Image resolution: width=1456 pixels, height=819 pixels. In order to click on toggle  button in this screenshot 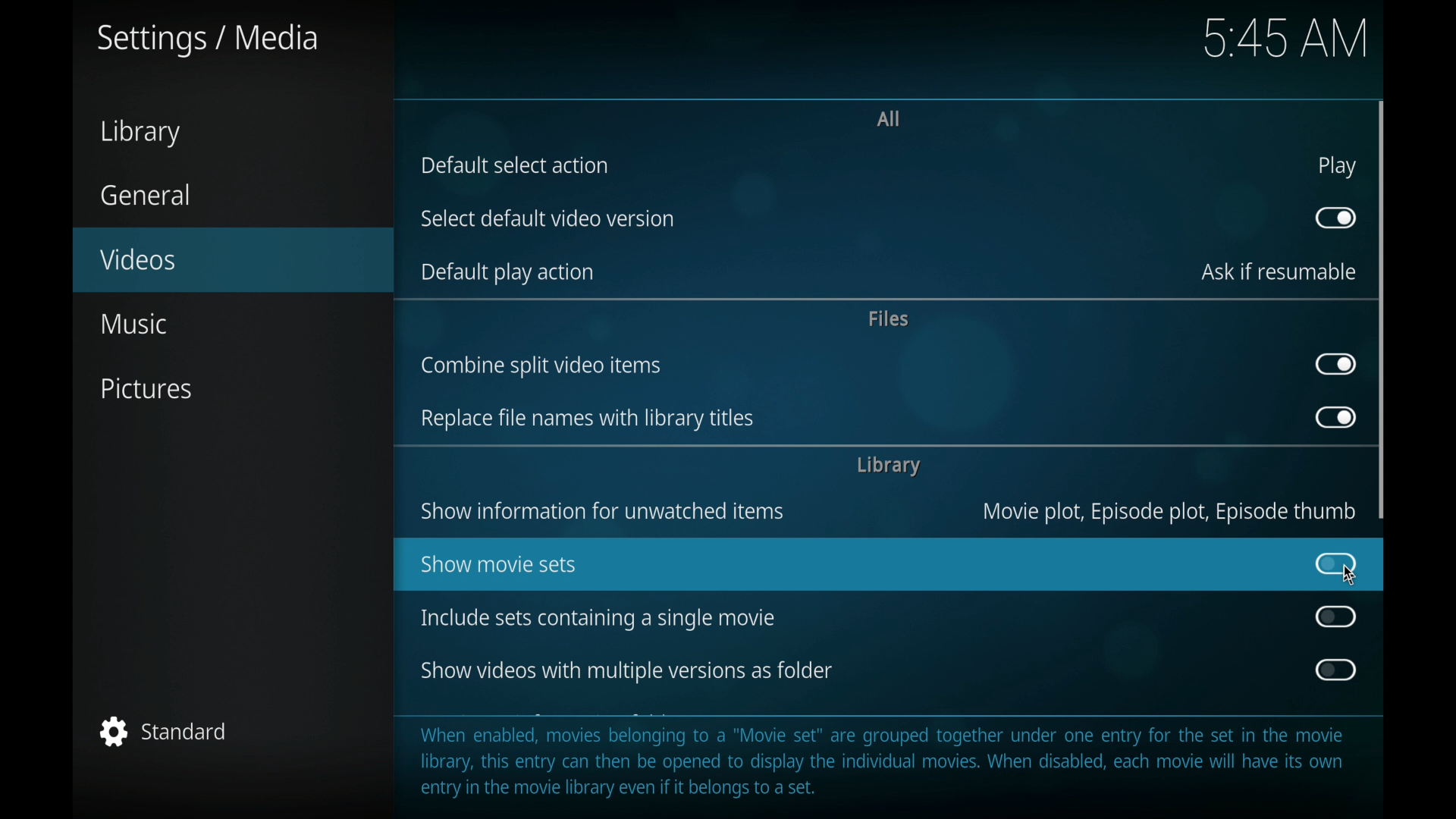, I will do `click(1335, 218)`.